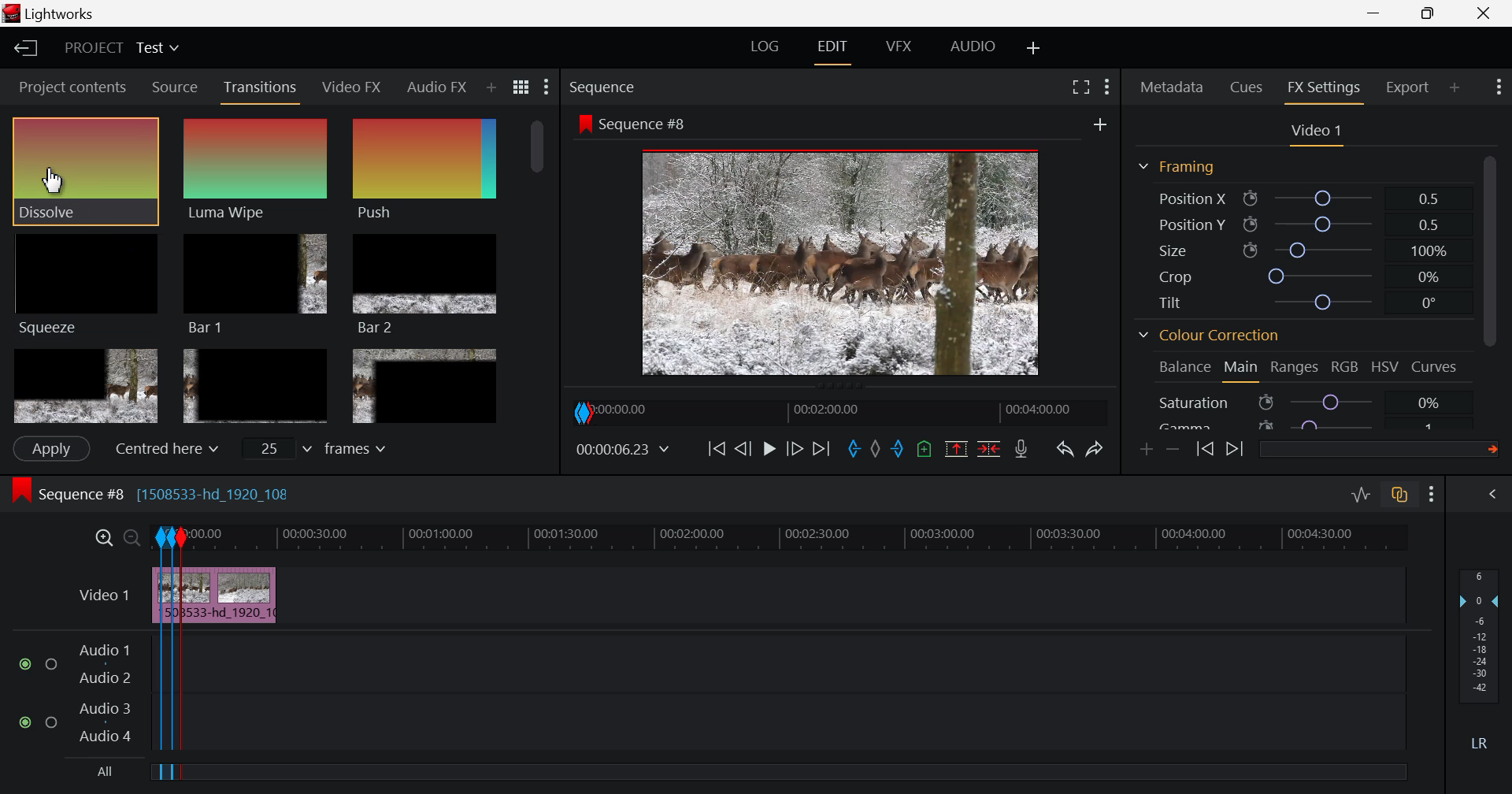 The width and height of the screenshot is (1512, 794). I want to click on Cursor, so click(54, 182).